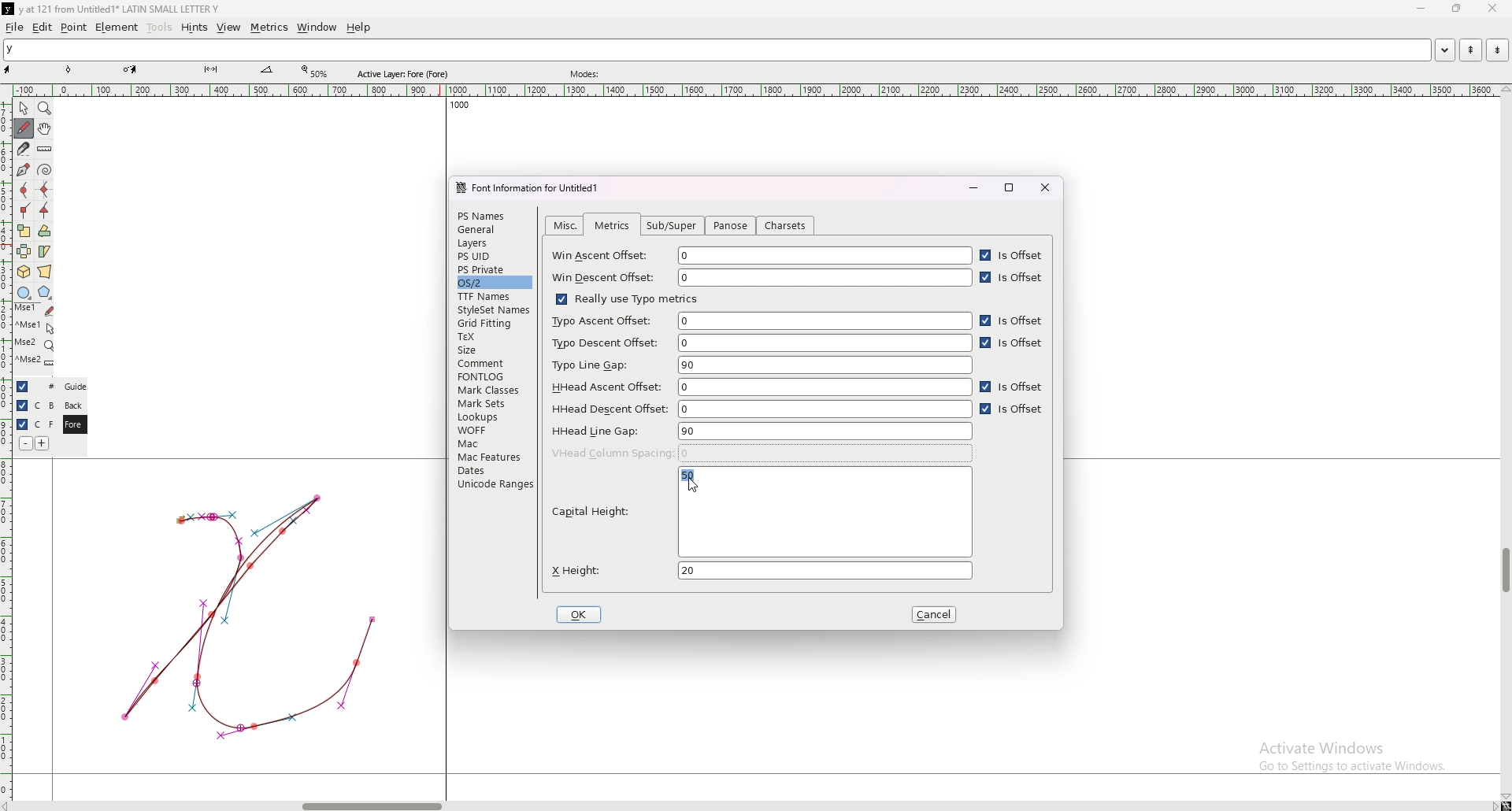 This screenshot has width=1512, height=811. Describe the element at coordinates (495, 362) in the screenshot. I see `comment` at that location.